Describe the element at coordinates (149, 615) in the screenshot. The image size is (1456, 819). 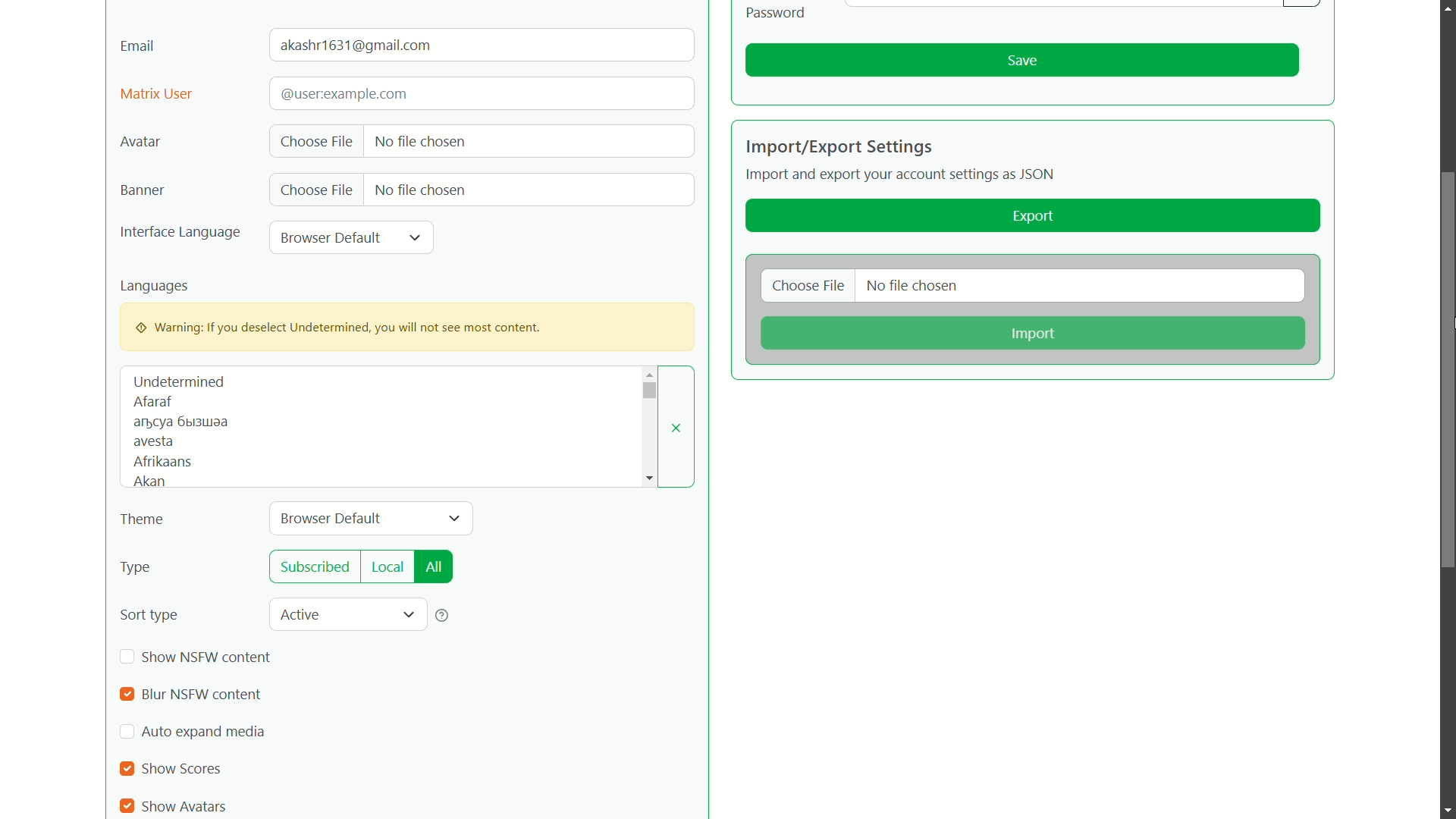
I see `sort type` at that location.